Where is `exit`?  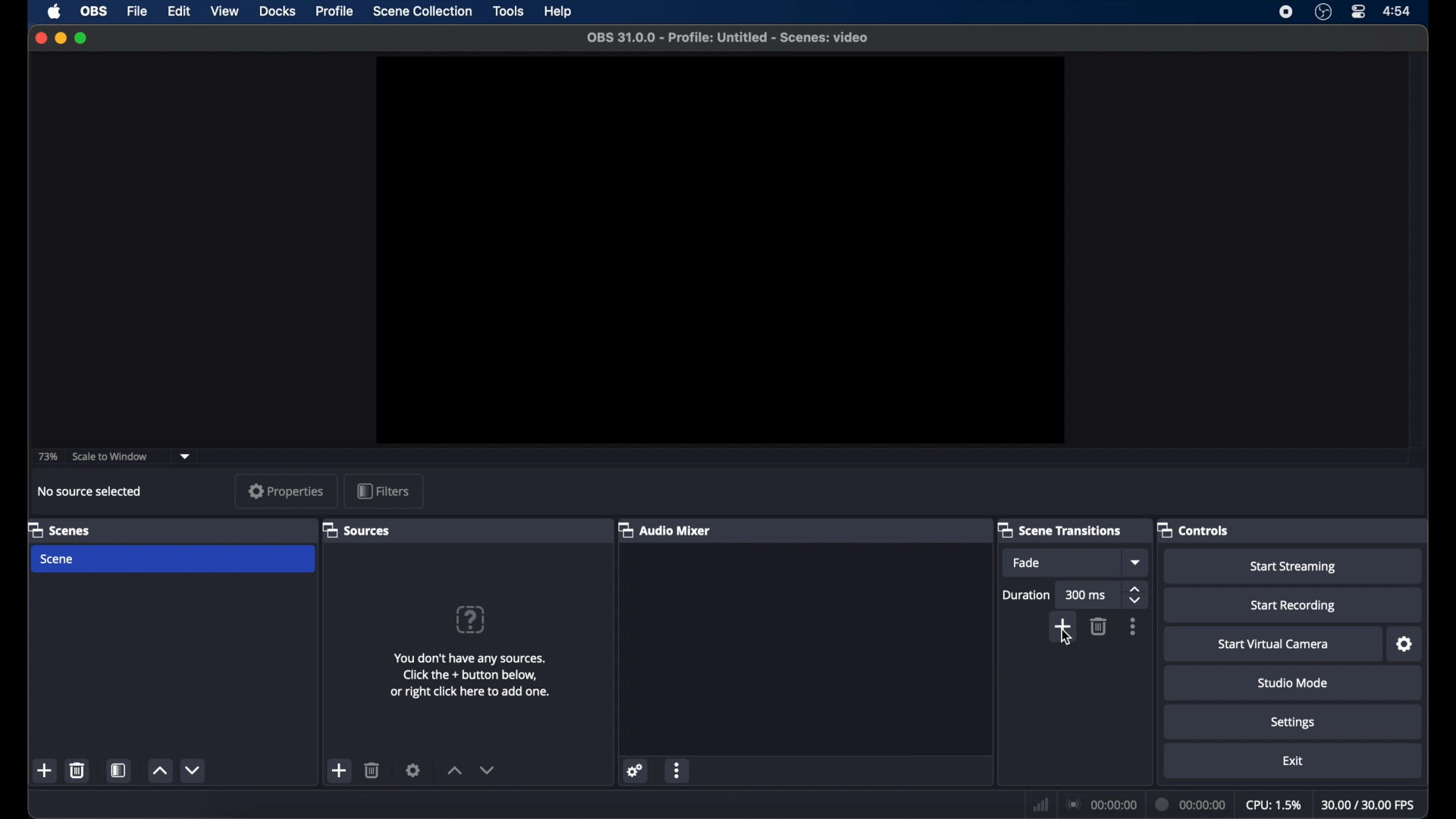 exit is located at coordinates (1294, 761).